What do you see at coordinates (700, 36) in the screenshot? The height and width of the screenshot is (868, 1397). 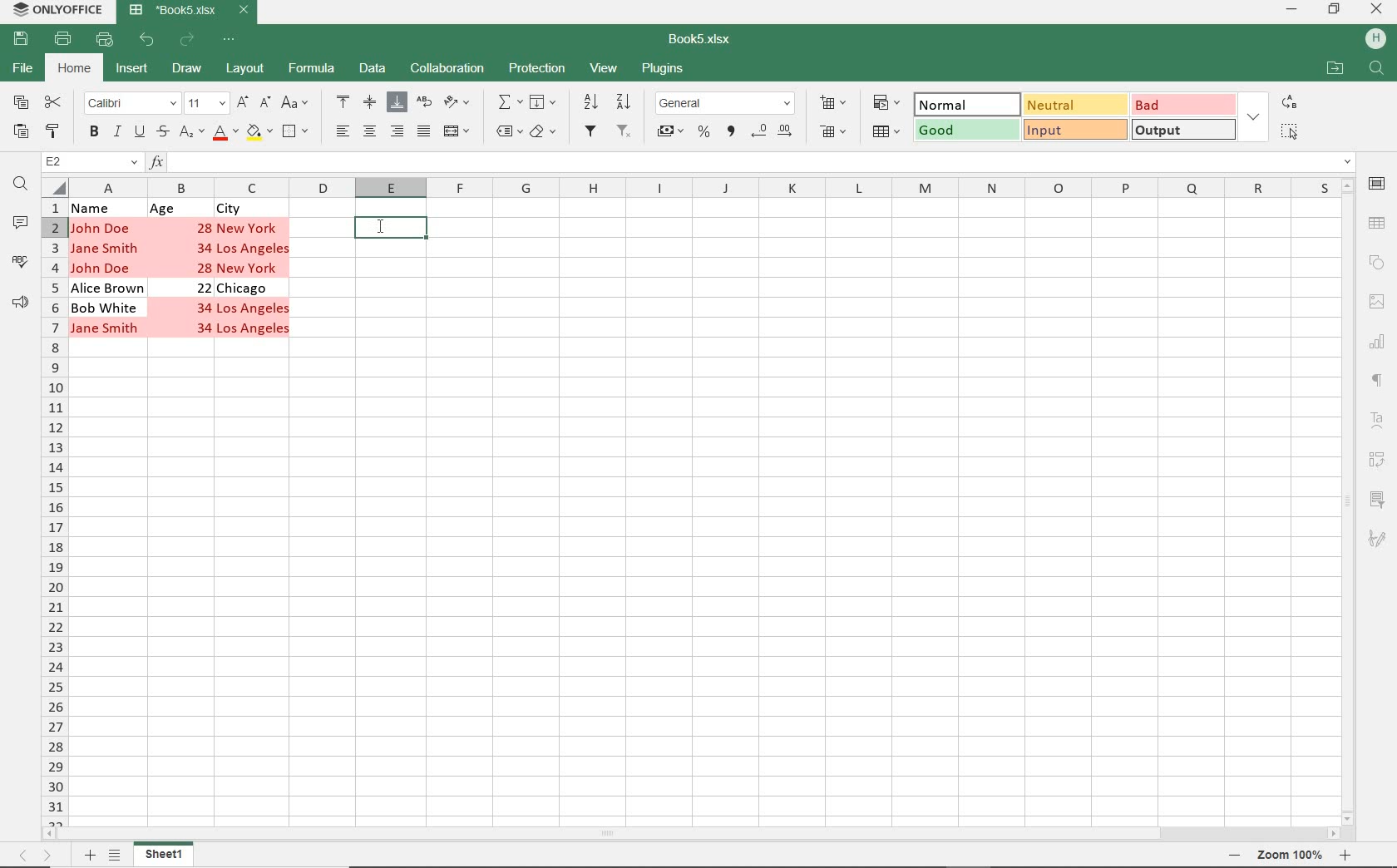 I see `DOCUMENT NAME` at bounding box center [700, 36].